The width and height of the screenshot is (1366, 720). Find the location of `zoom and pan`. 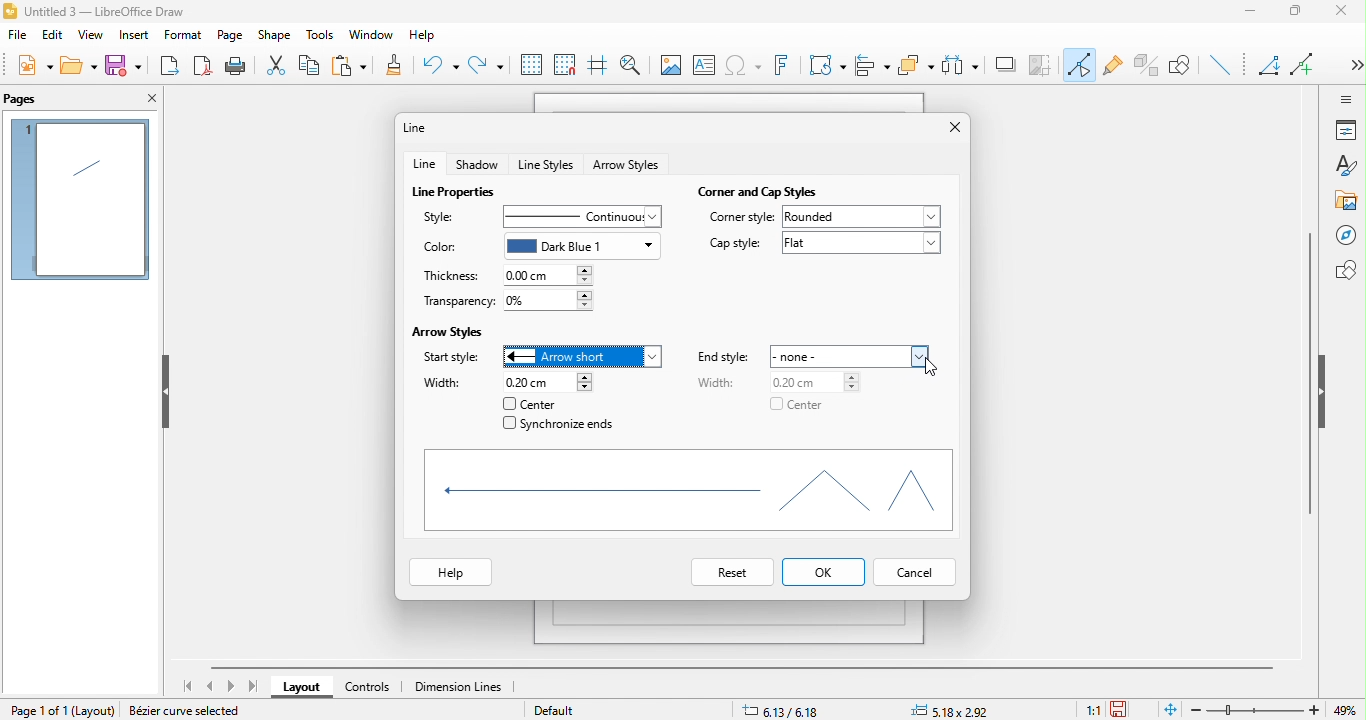

zoom and pan is located at coordinates (630, 62).